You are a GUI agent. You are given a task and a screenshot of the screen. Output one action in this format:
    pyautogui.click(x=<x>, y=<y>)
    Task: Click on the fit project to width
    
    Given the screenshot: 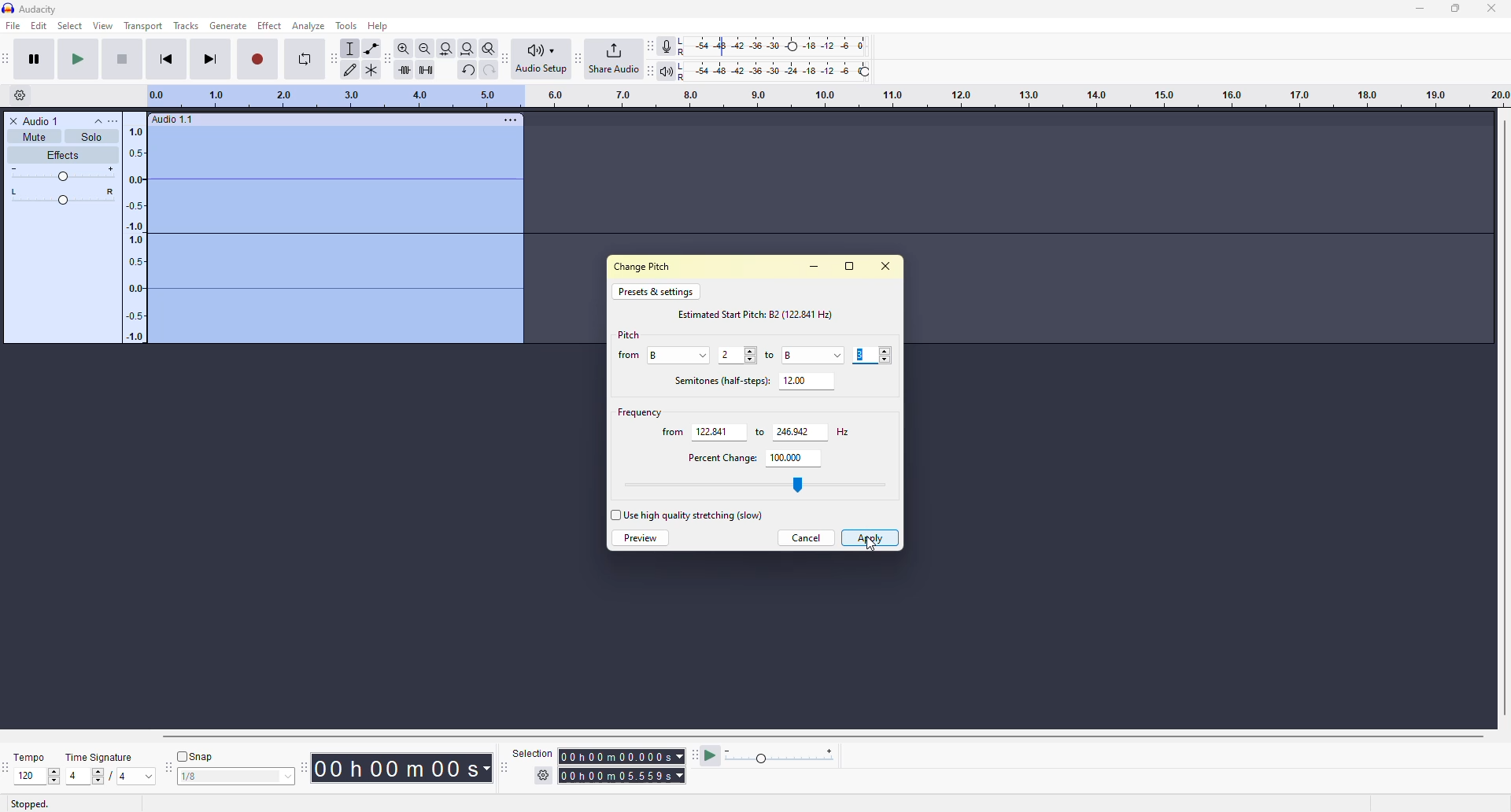 What is the action you would take?
    pyautogui.click(x=468, y=49)
    